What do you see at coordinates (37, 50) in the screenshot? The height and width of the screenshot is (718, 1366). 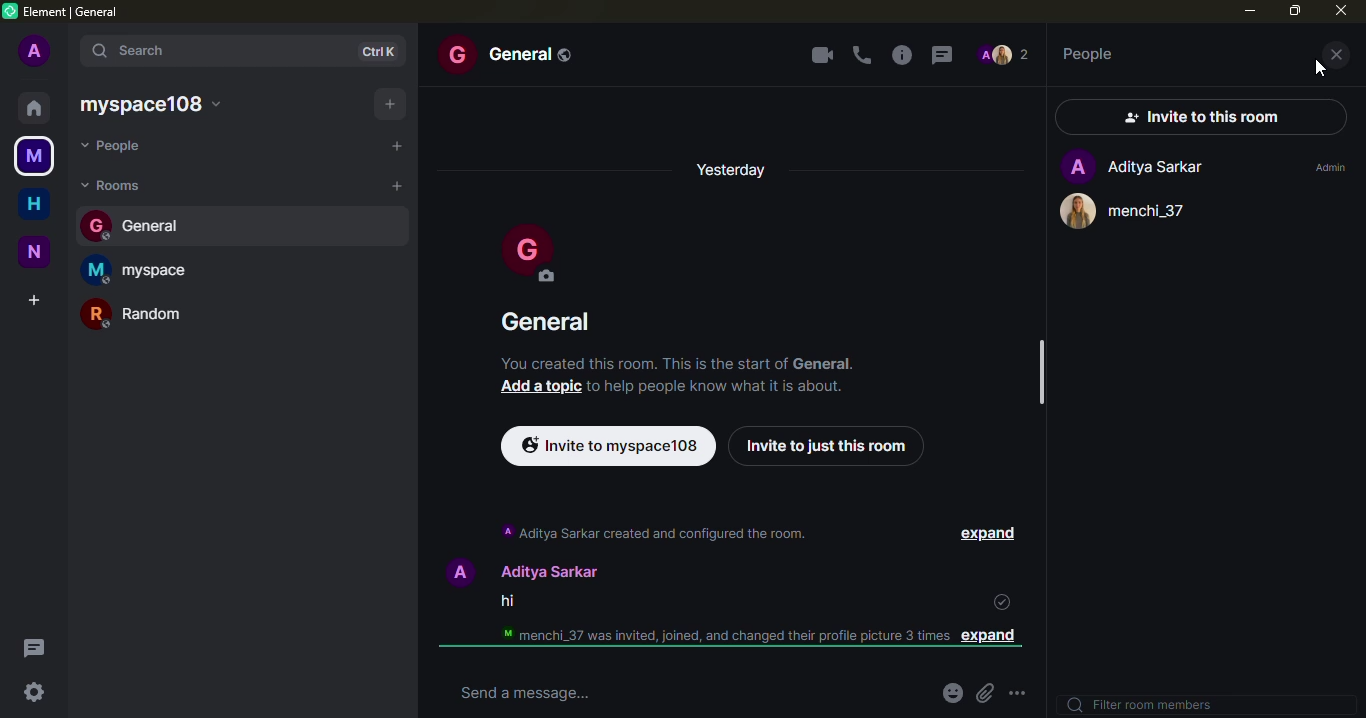 I see `account` at bounding box center [37, 50].